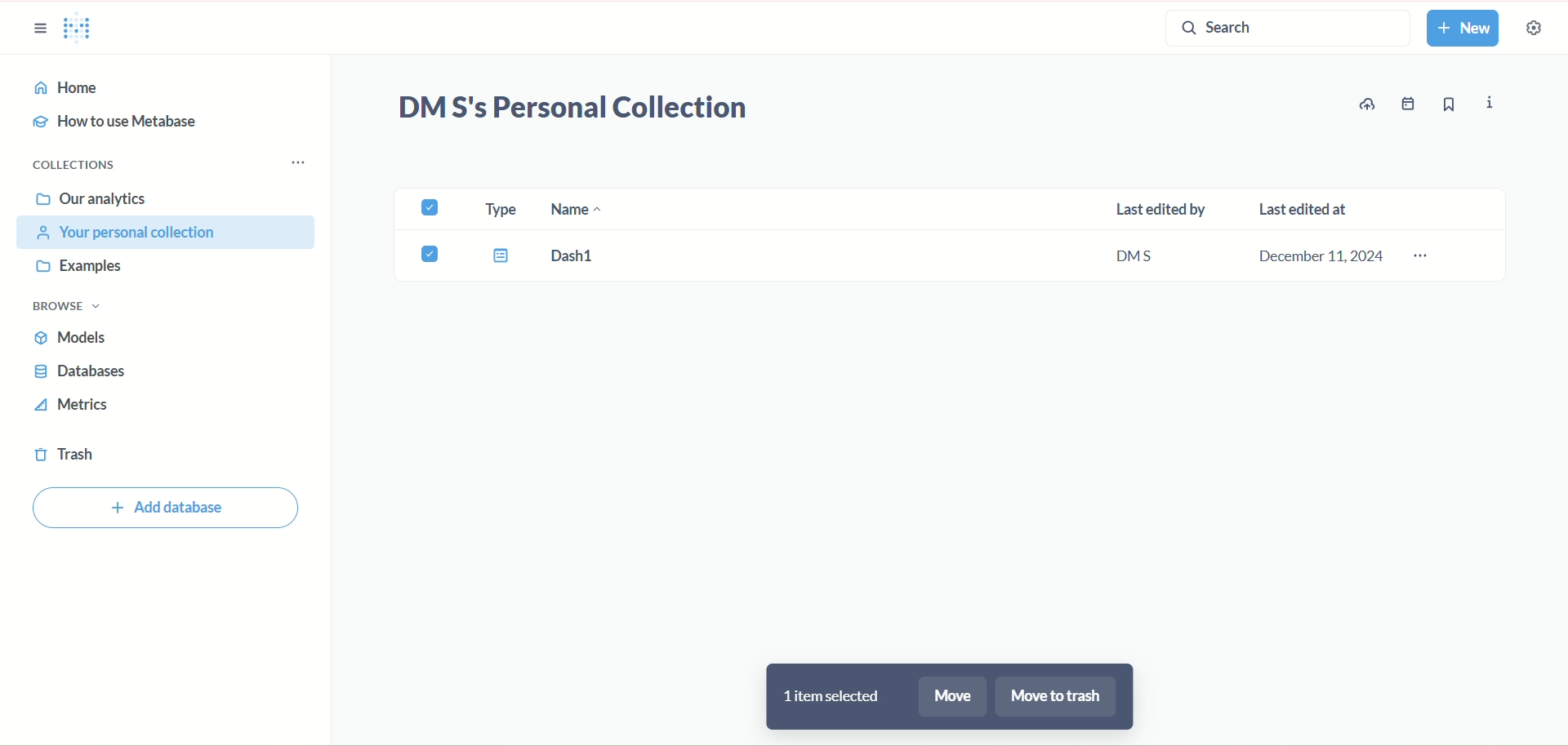  Describe the element at coordinates (1288, 28) in the screenshot. I see `search` at that location.